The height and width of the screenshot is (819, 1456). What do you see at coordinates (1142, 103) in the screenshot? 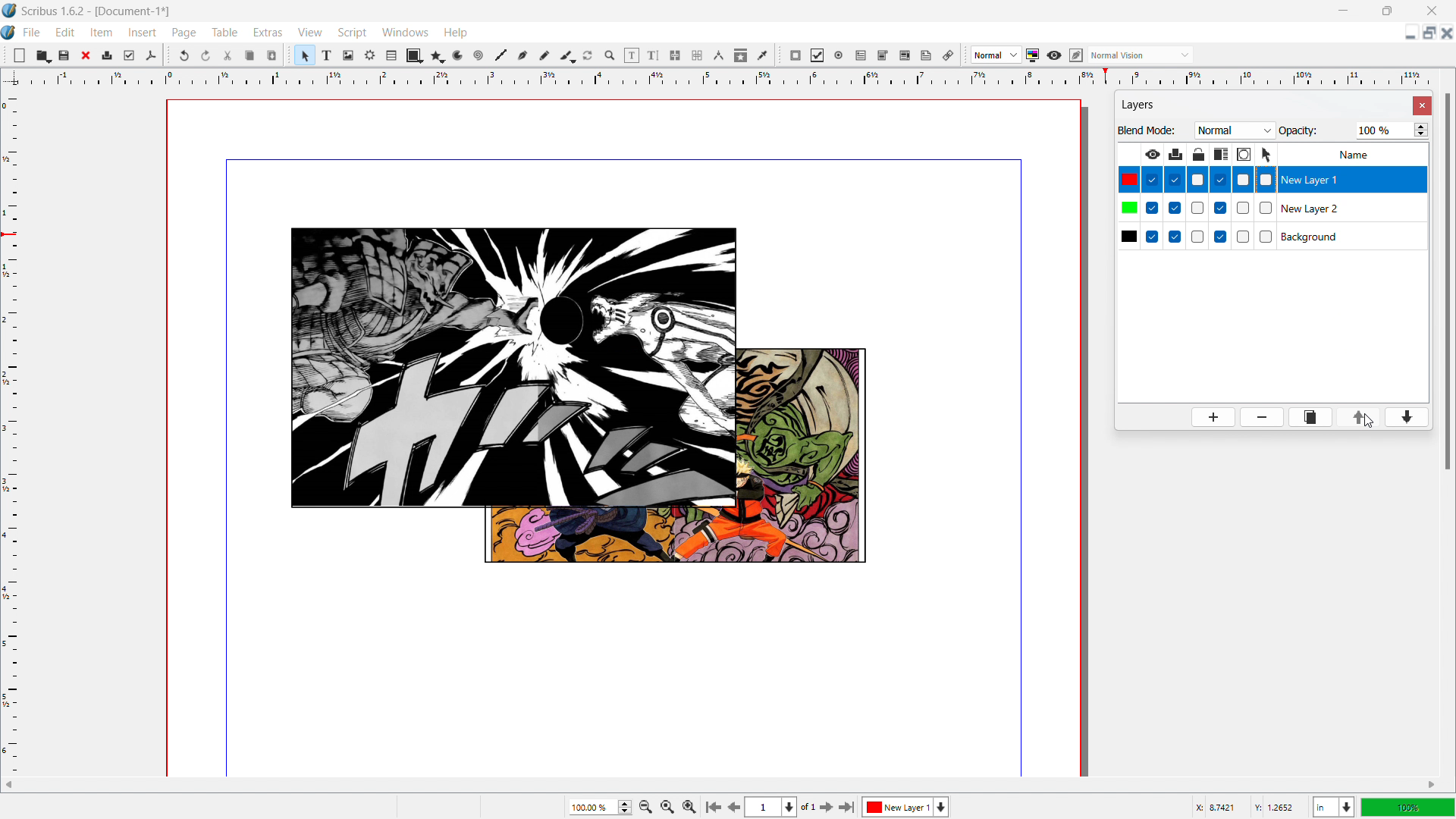
I see `layers` at bounding box center [1142, 103].